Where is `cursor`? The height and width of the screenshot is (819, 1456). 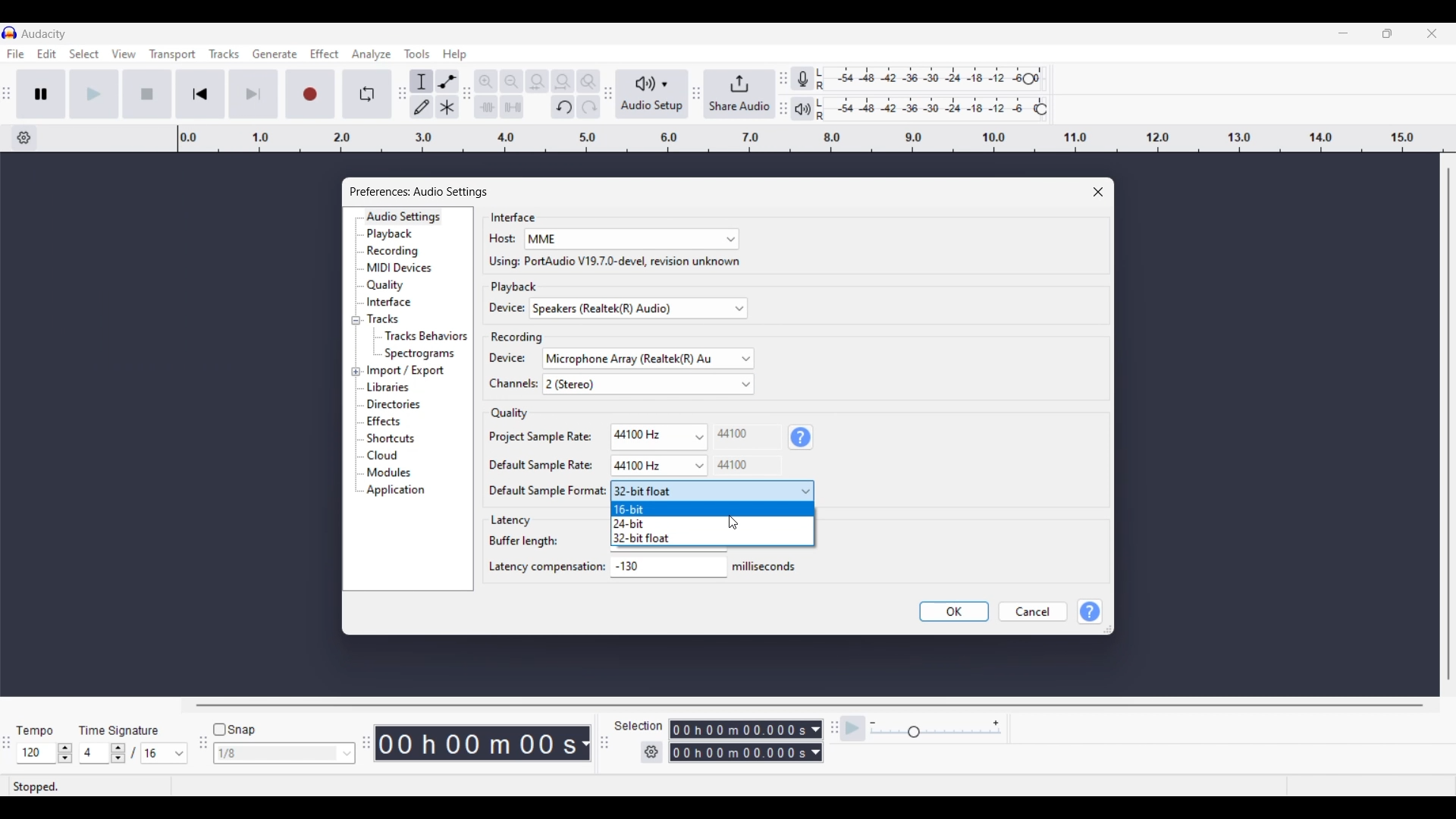 cursor is located at coordinates (737, 524).